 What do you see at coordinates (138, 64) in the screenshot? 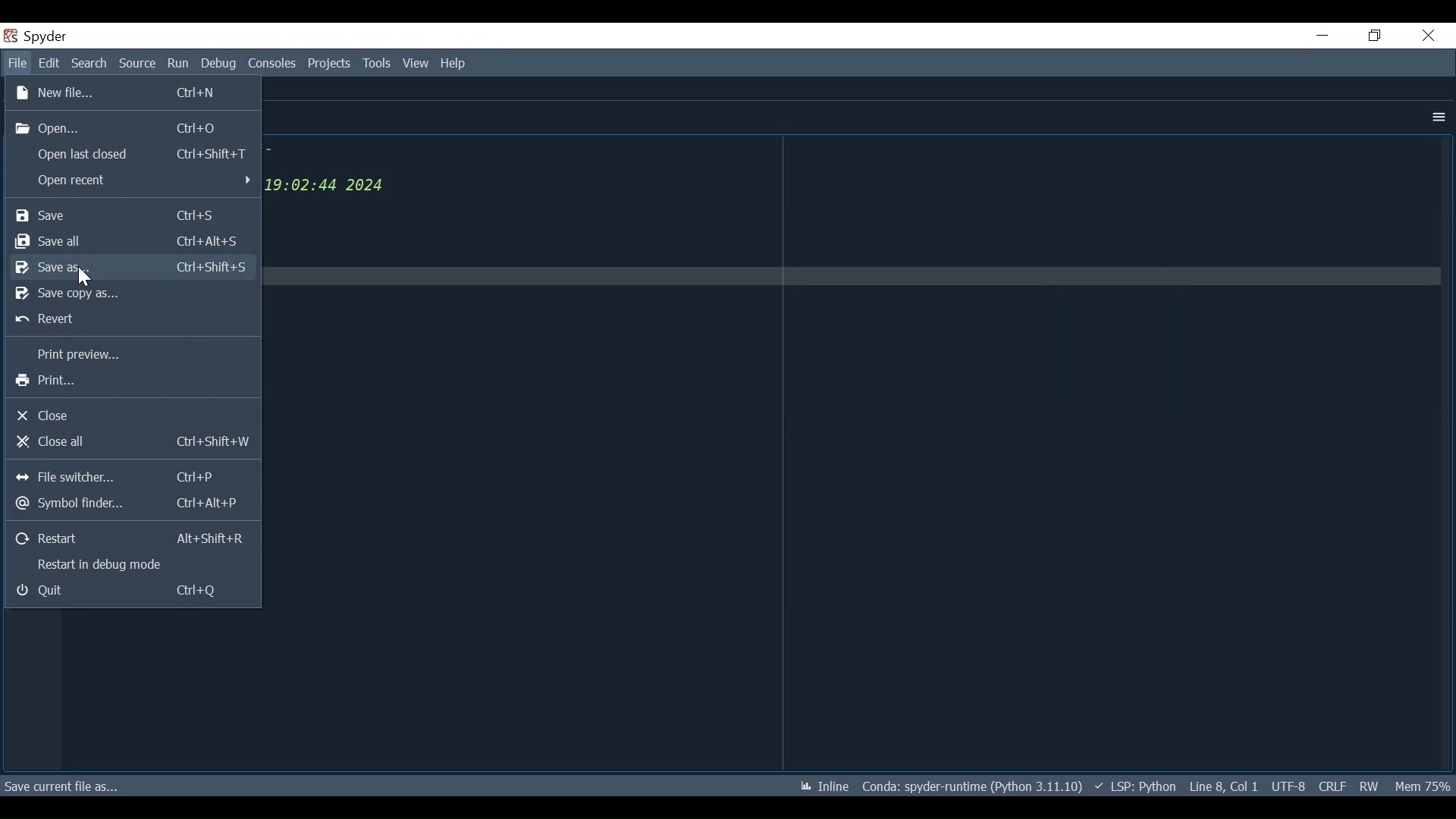
I see `Source` at bounding box center [138, 64].